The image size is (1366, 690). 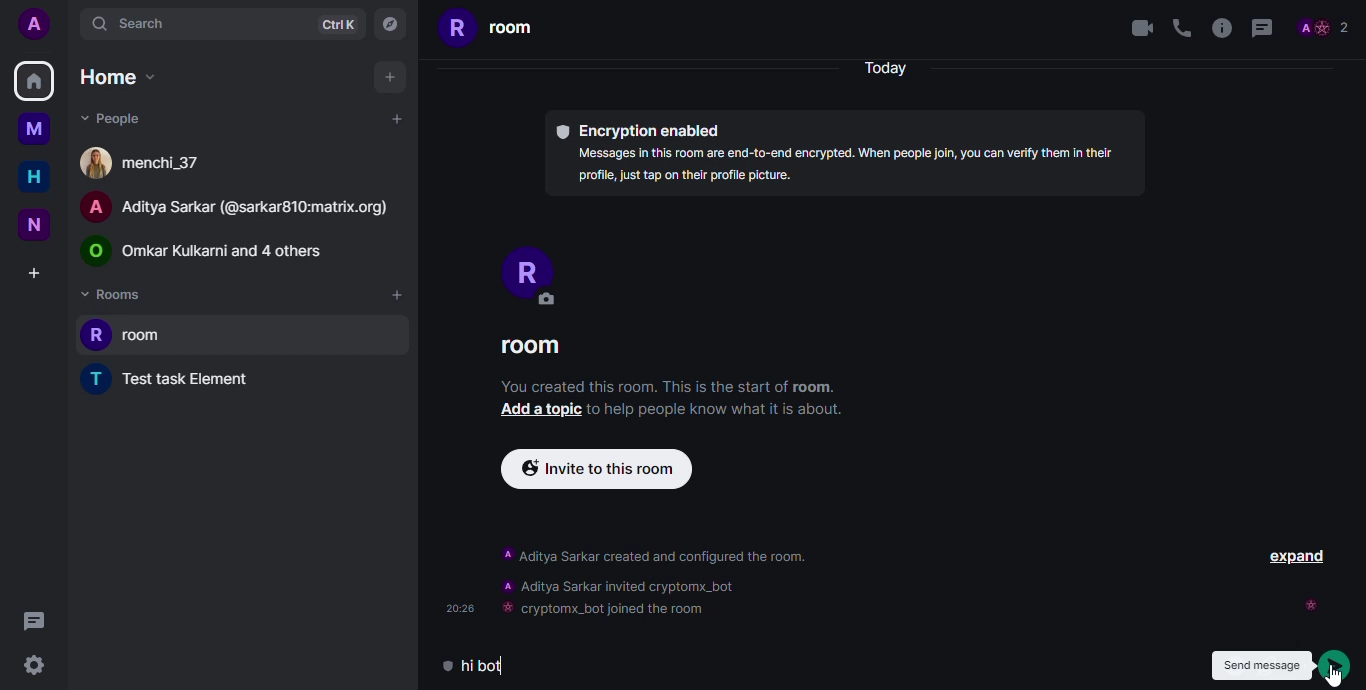 I want to click on 20:28, so click(x=459, y=608).